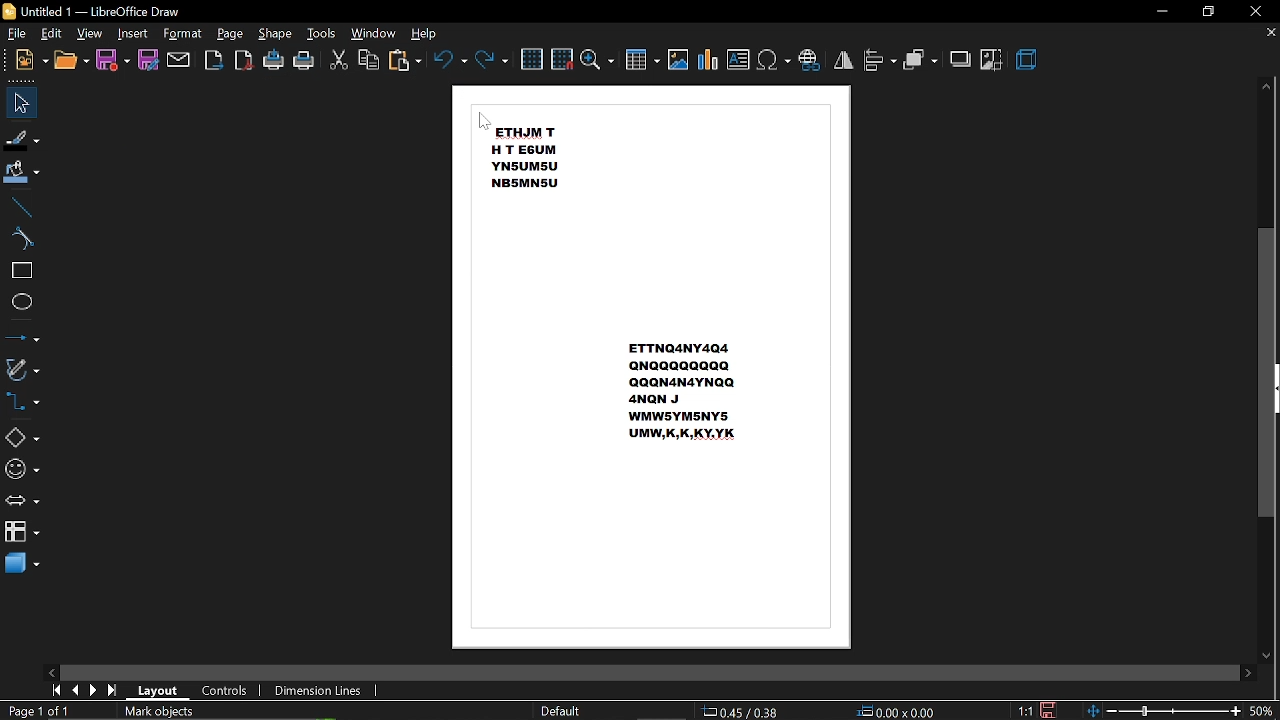 Image resolution: width=1280 pixels, height=720 pixels. What do you see at coordinates (21, 533) in the screenshot?
I see `flowchart` at bounding box center [21, 533].